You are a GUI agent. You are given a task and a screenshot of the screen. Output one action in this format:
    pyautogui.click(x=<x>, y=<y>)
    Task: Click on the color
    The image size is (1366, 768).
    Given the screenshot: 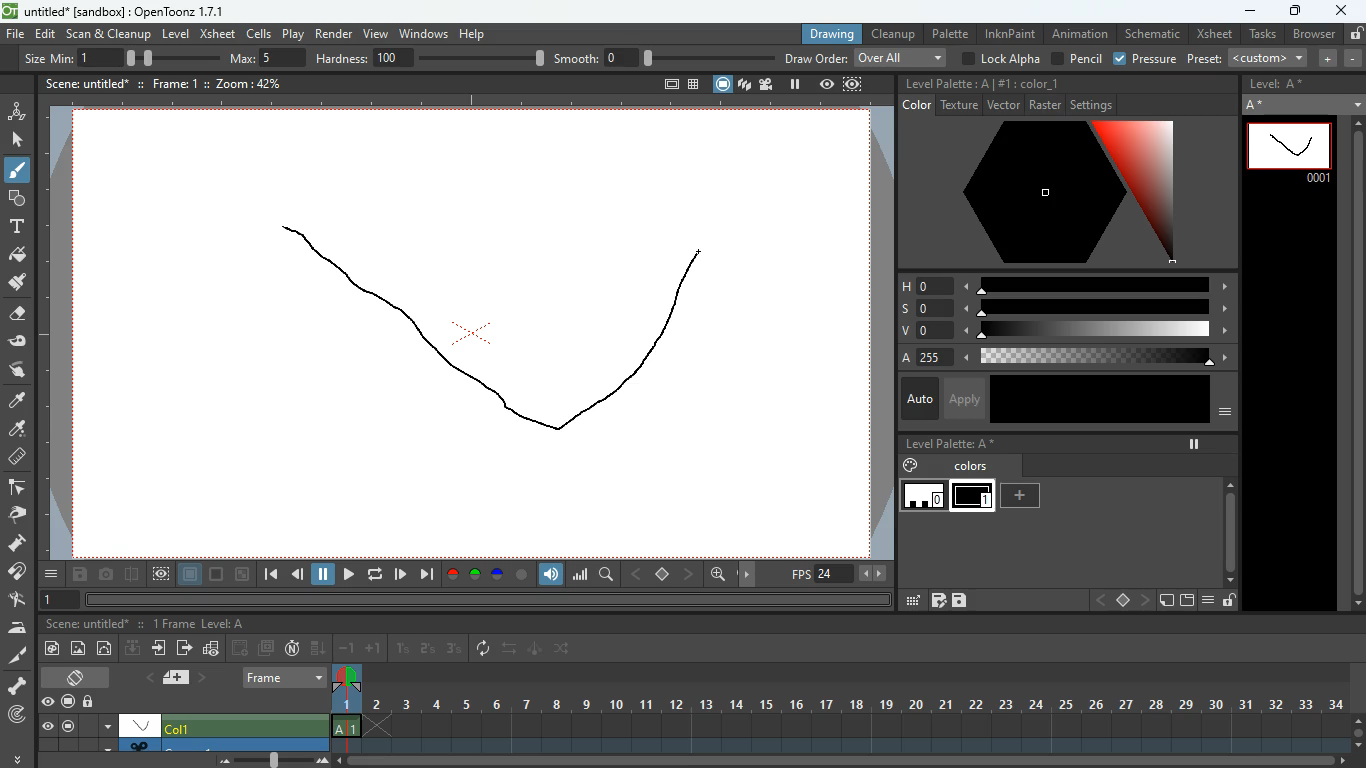 What is the action you would take?
    pyautogui.click(x=218, y=575)
    